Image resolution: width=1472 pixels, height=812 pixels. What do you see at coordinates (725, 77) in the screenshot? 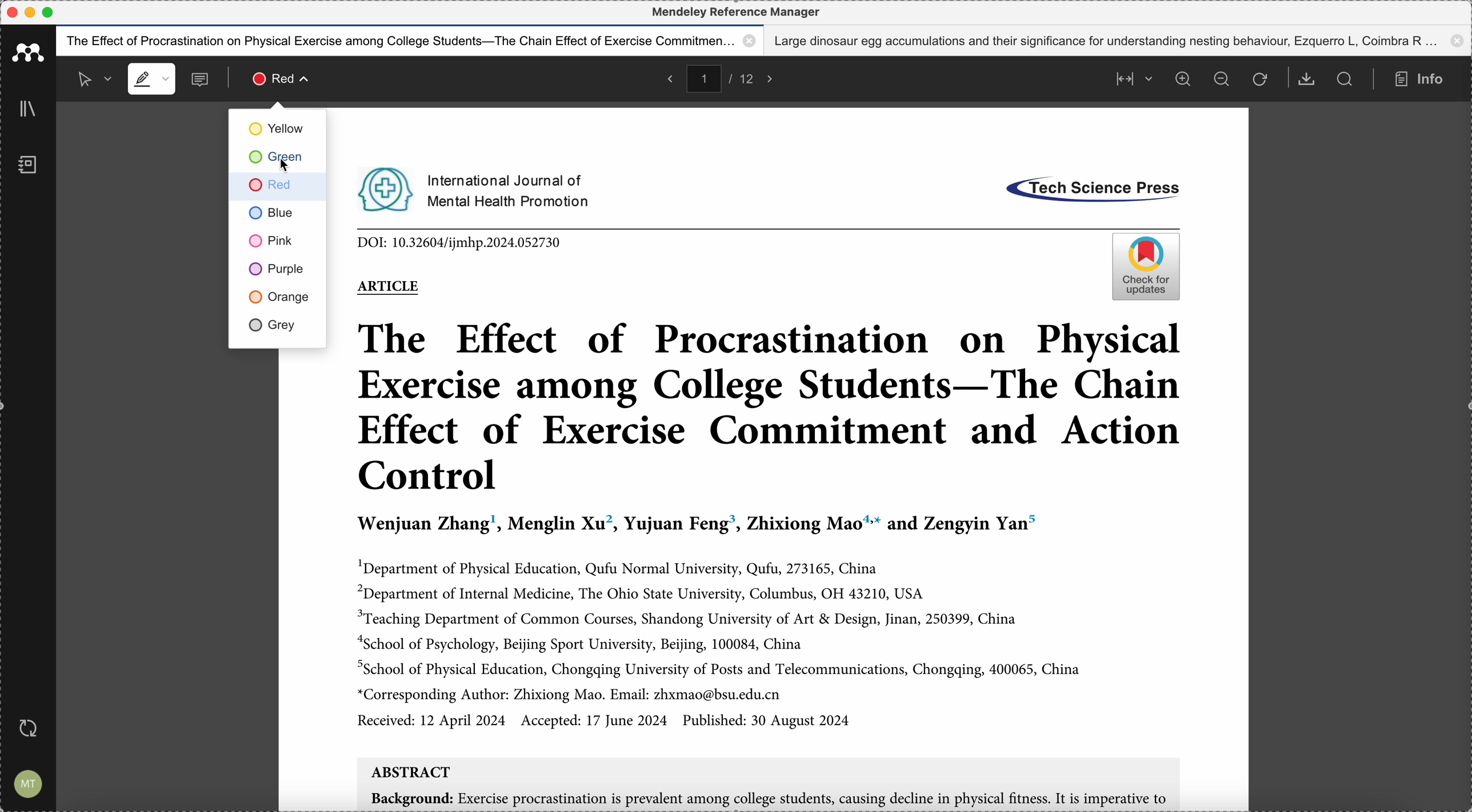
I see `pages` at bounding box center [725, 77].